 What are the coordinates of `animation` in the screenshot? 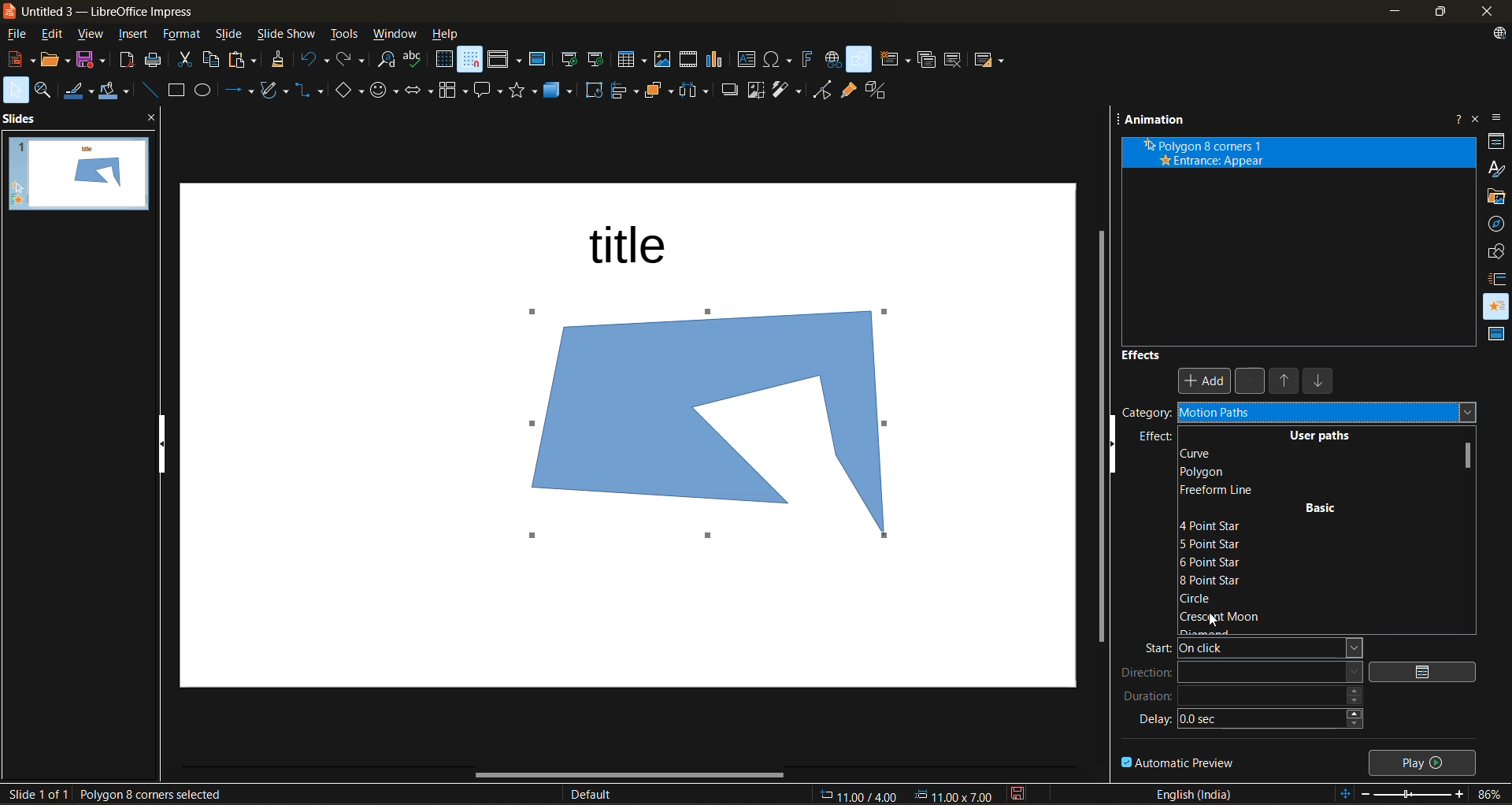 It's located at (1492, 304).